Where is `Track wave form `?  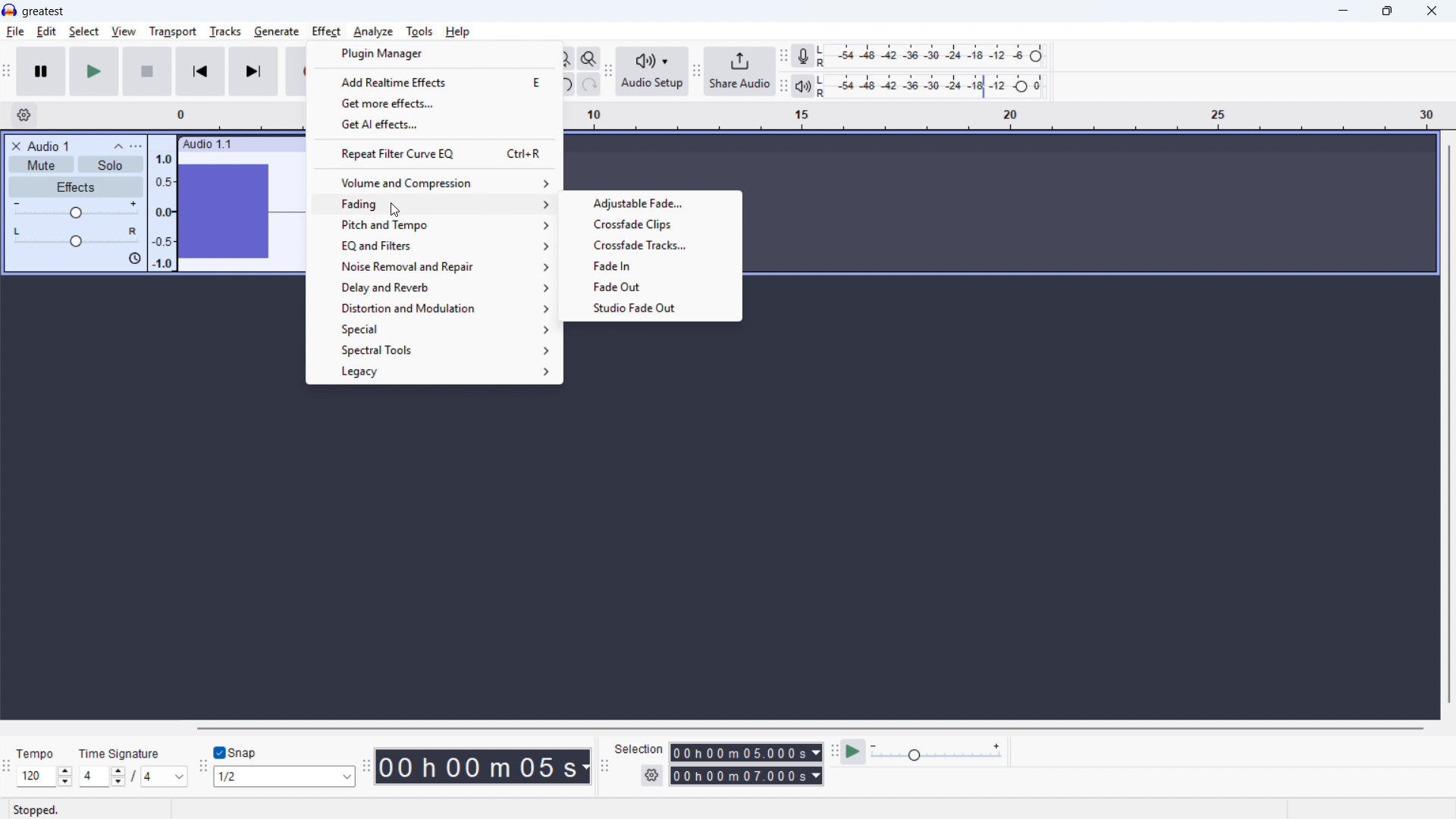
Track wave form  is located at coordinates (240, 212).